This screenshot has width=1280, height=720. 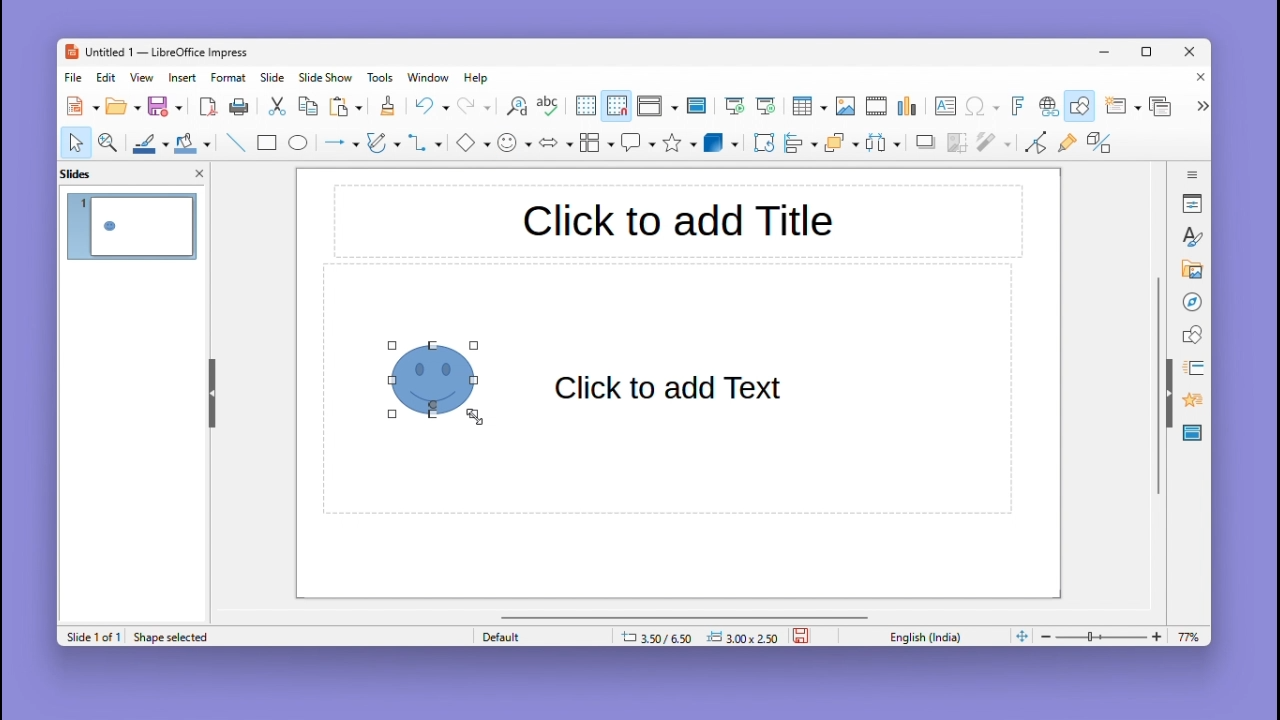 I want to click on Vertical scroll bar, so click(x=1158, y=386).